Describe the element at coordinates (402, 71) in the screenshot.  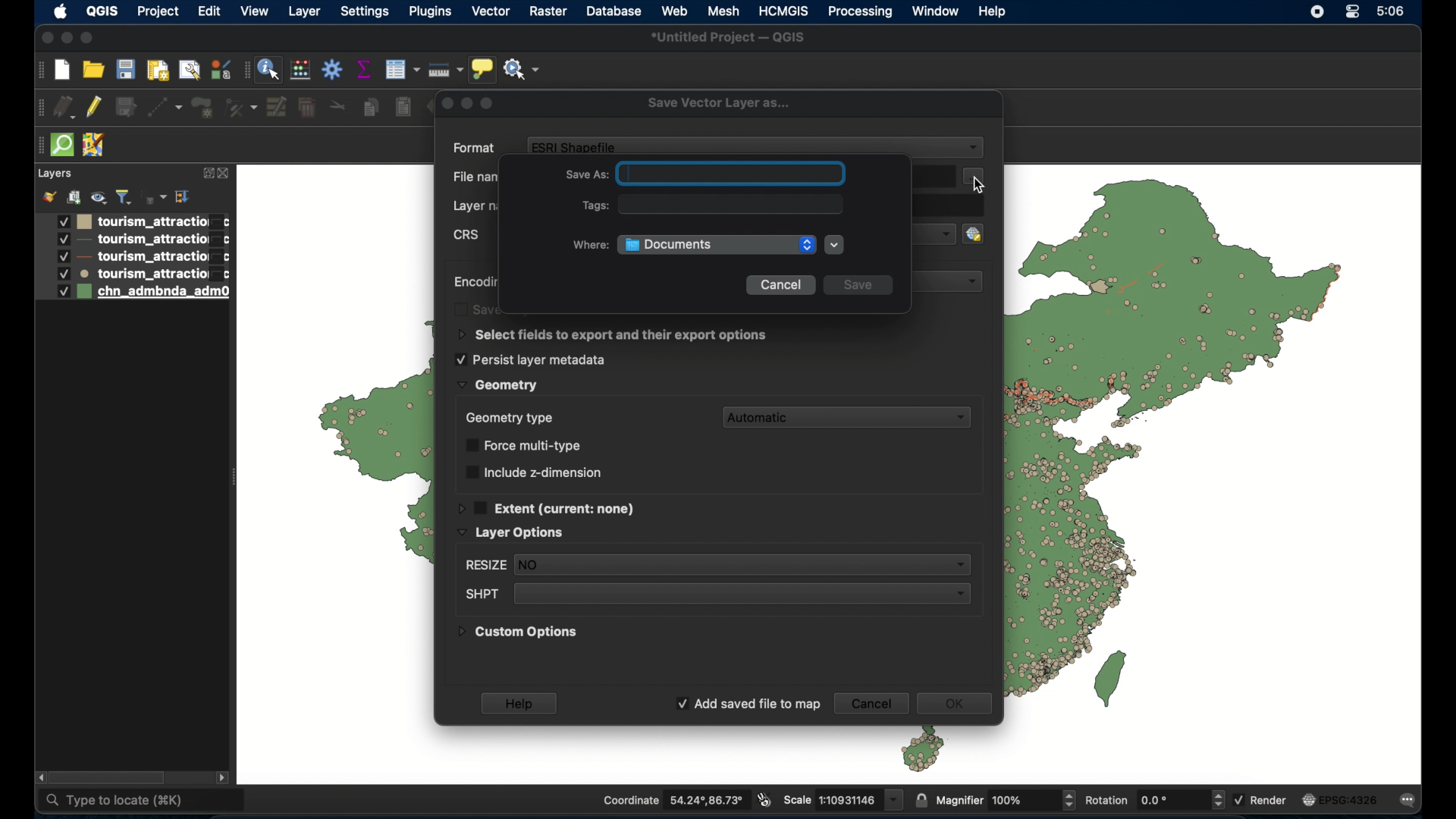
I see `open attribute table` at that location.